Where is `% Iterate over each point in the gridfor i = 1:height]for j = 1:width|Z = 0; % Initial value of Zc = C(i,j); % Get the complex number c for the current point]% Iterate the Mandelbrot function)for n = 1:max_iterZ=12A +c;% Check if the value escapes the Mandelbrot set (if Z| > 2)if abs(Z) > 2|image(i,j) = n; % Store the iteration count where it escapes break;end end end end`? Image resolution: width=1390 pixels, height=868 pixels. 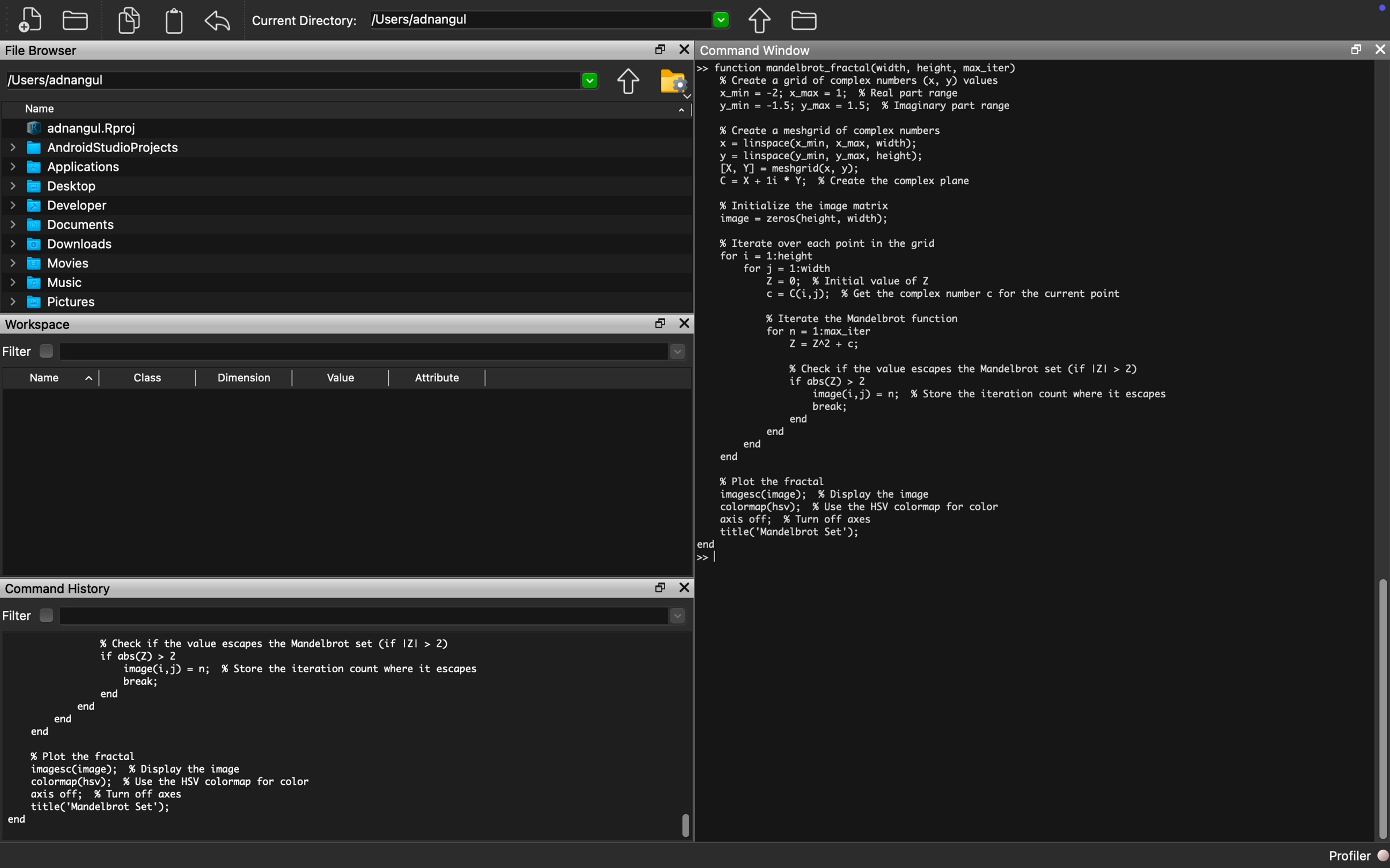
% Iterate over each point in the gridfor i = 1:height]for j = 1:width|Z = 0; % Initial value of Zc = C(i,j); % Get the complex number c for the current point]% Iterate the Mandelbrot function)for n = 1:max_iterZ=12A +c;% Check if the value escapes the Mandelbrot set (if Z| > 2)if abs(Z) > 2|image(i,j) = n; % Store the iteration count where it escapes break;end end end end is located at coordinates (943, 354).